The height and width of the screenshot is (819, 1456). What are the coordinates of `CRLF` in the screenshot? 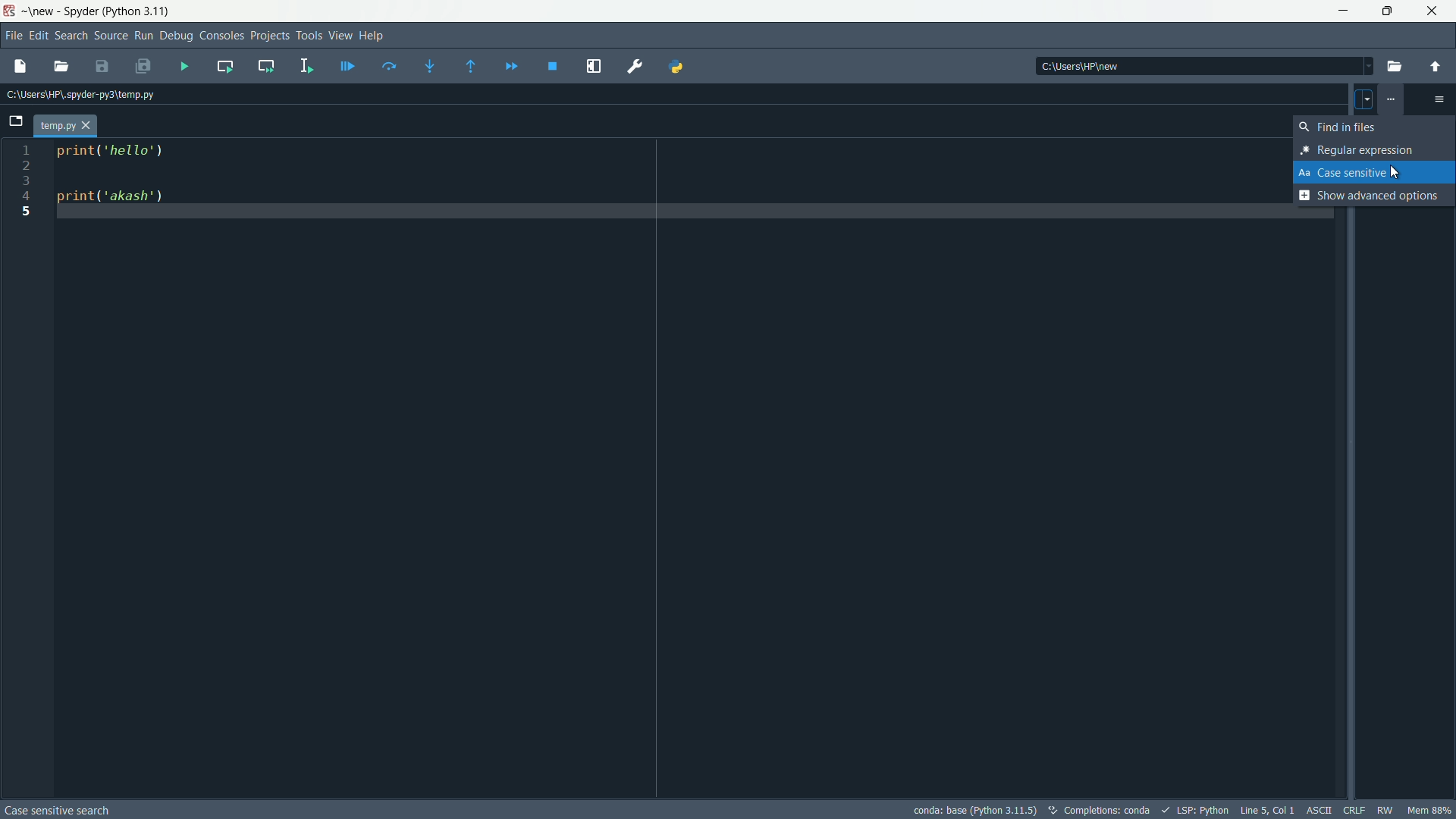 It's located at (1353, 808).